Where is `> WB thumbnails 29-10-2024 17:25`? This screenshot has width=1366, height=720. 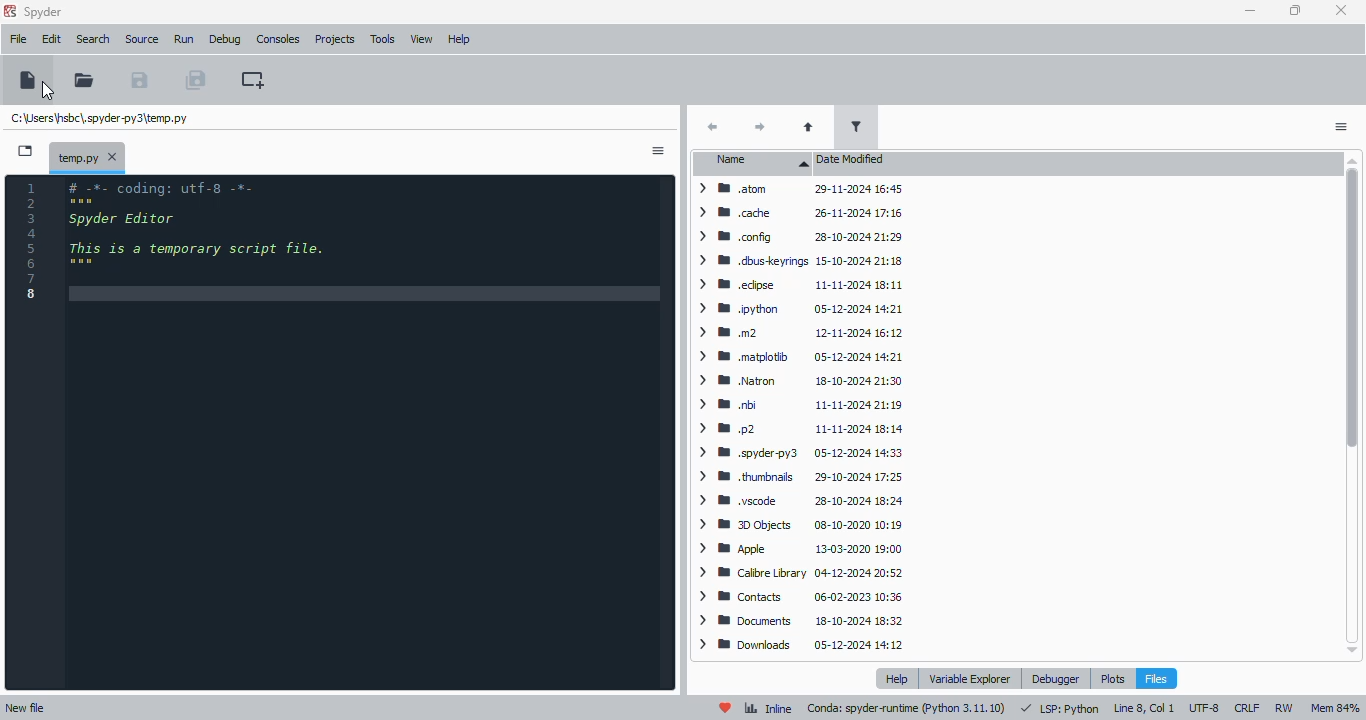 > WB thumbnails 29-10-2024 17:25 is located at coordinates (799, 477).